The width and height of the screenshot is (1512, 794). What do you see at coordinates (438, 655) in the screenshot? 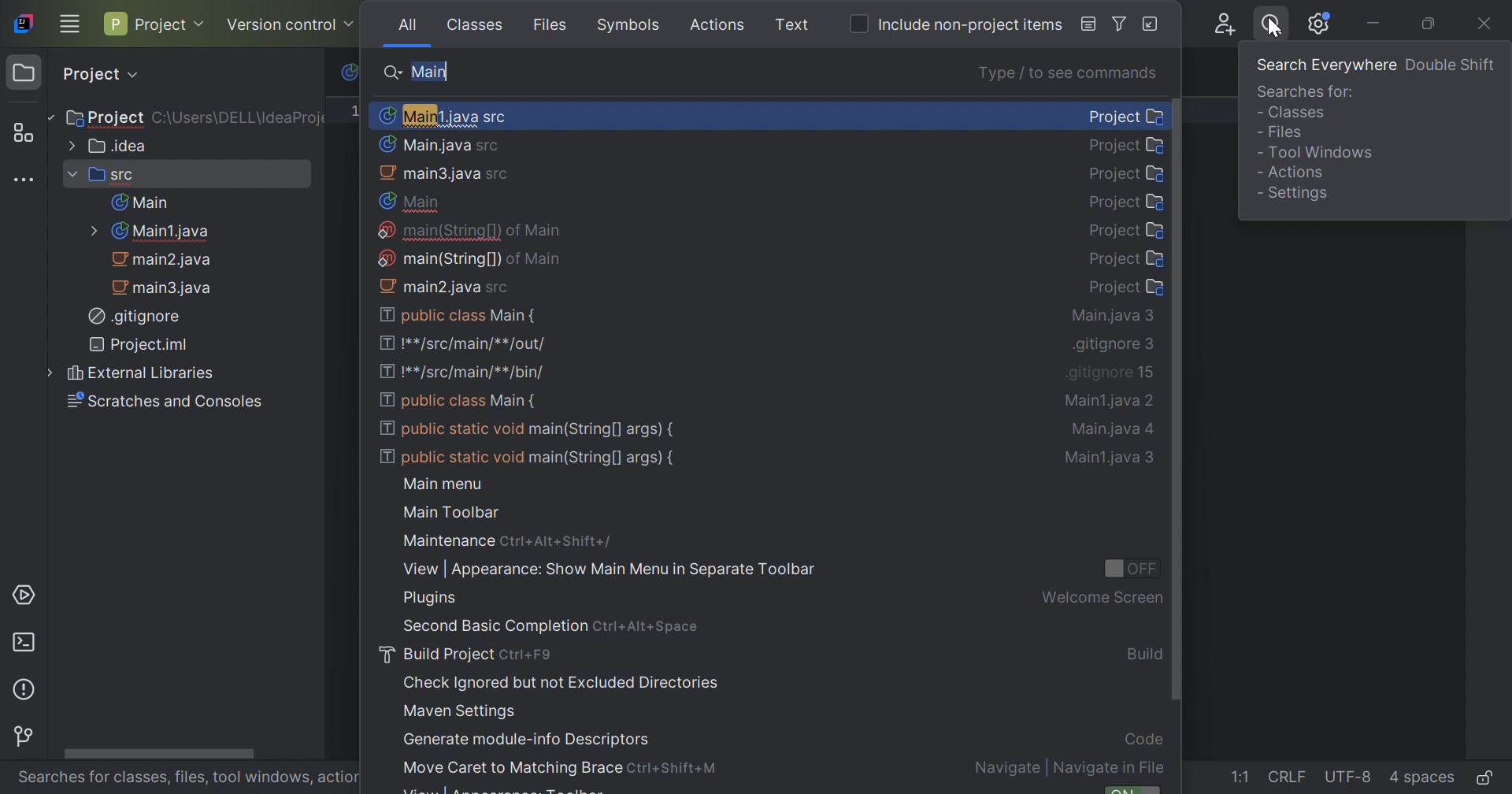
I see `Build Project` at bounding box center [438, 655].